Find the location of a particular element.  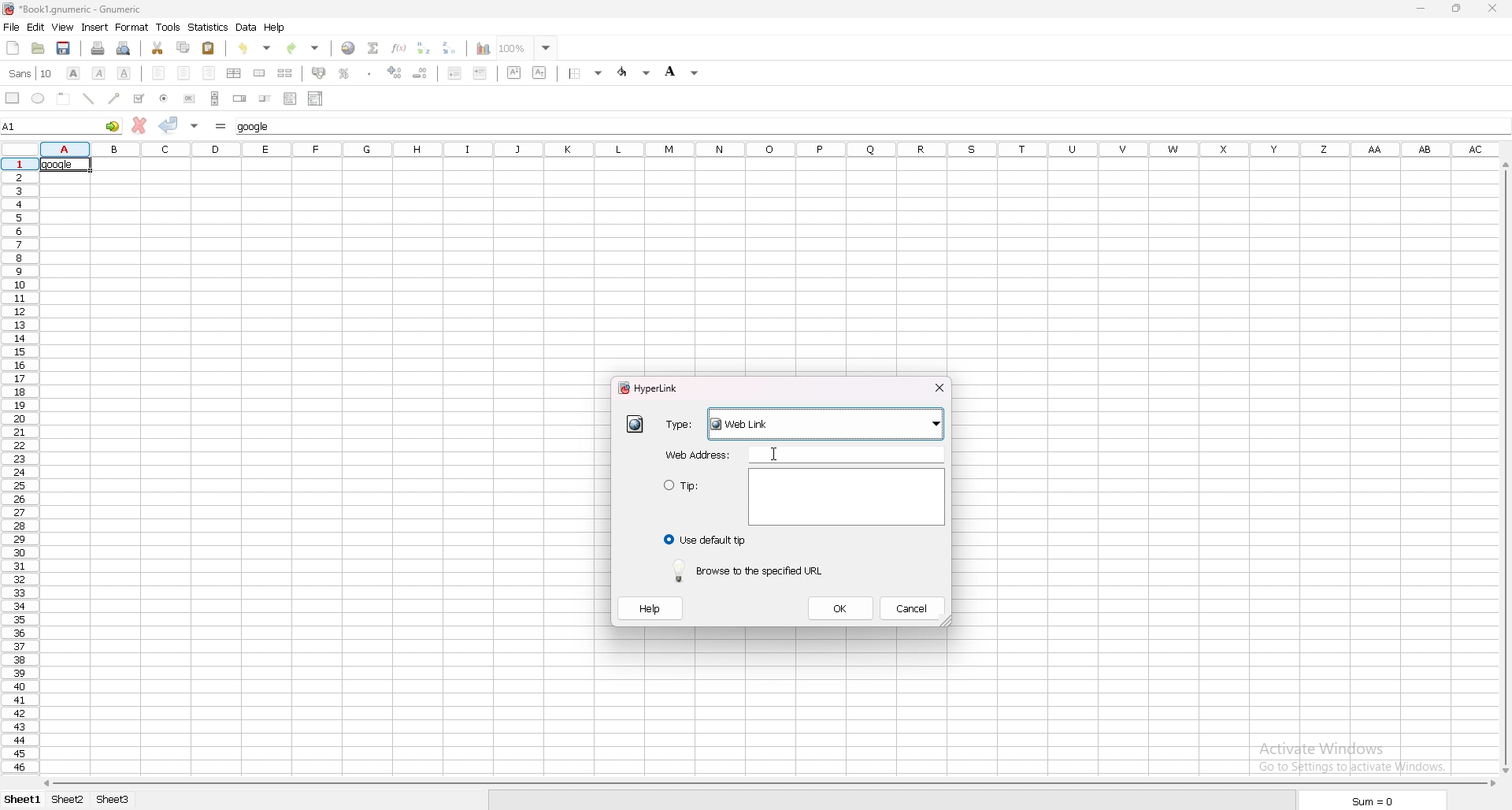

sort ascending is located at coordinates (424, 47).